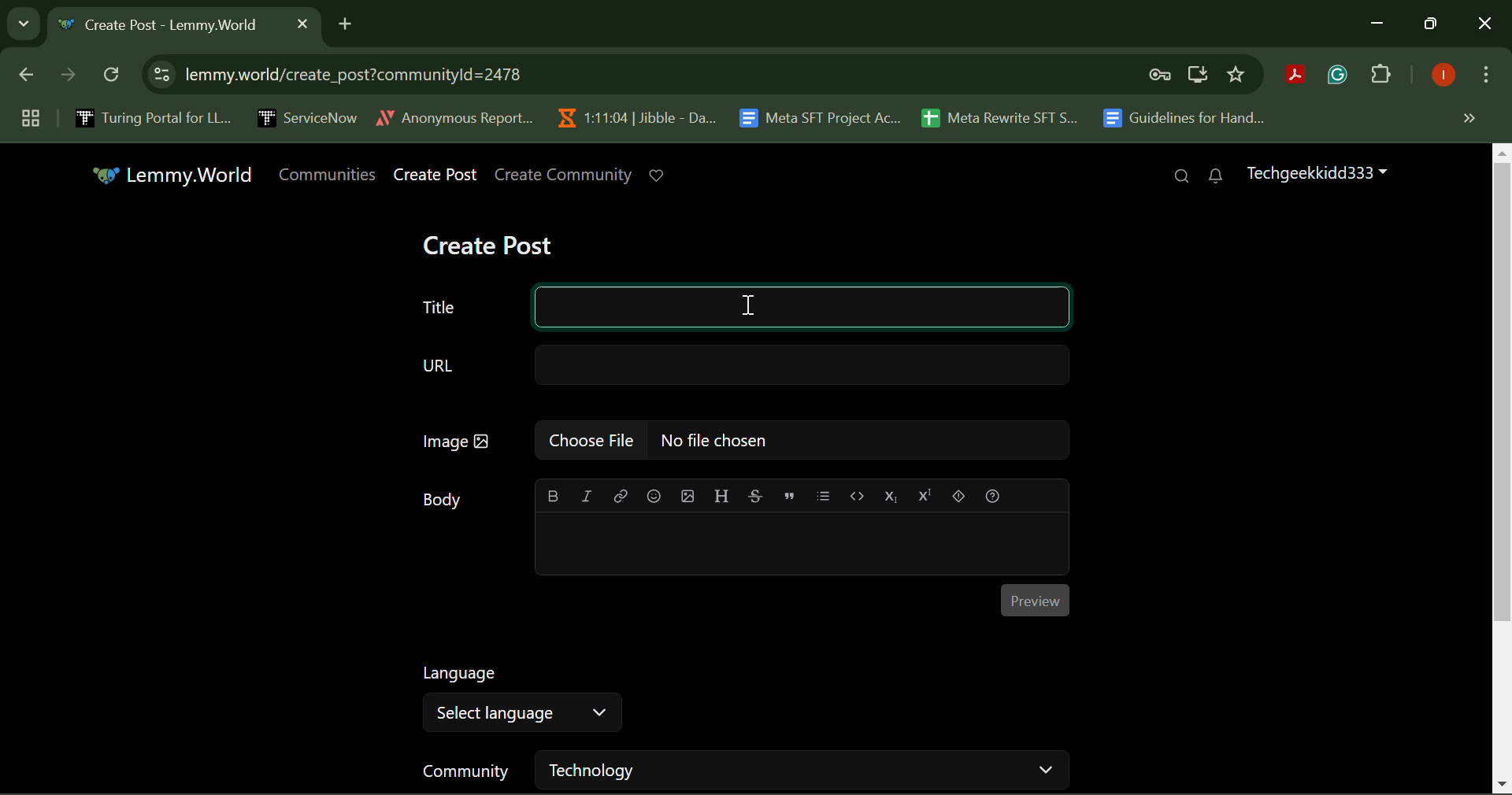 This screenshot has width=1512, height=795. What do you see at coordinates (743, 770) in the screenshot?
I see `Community Selection Filter ` at bounding box center [743, 770].